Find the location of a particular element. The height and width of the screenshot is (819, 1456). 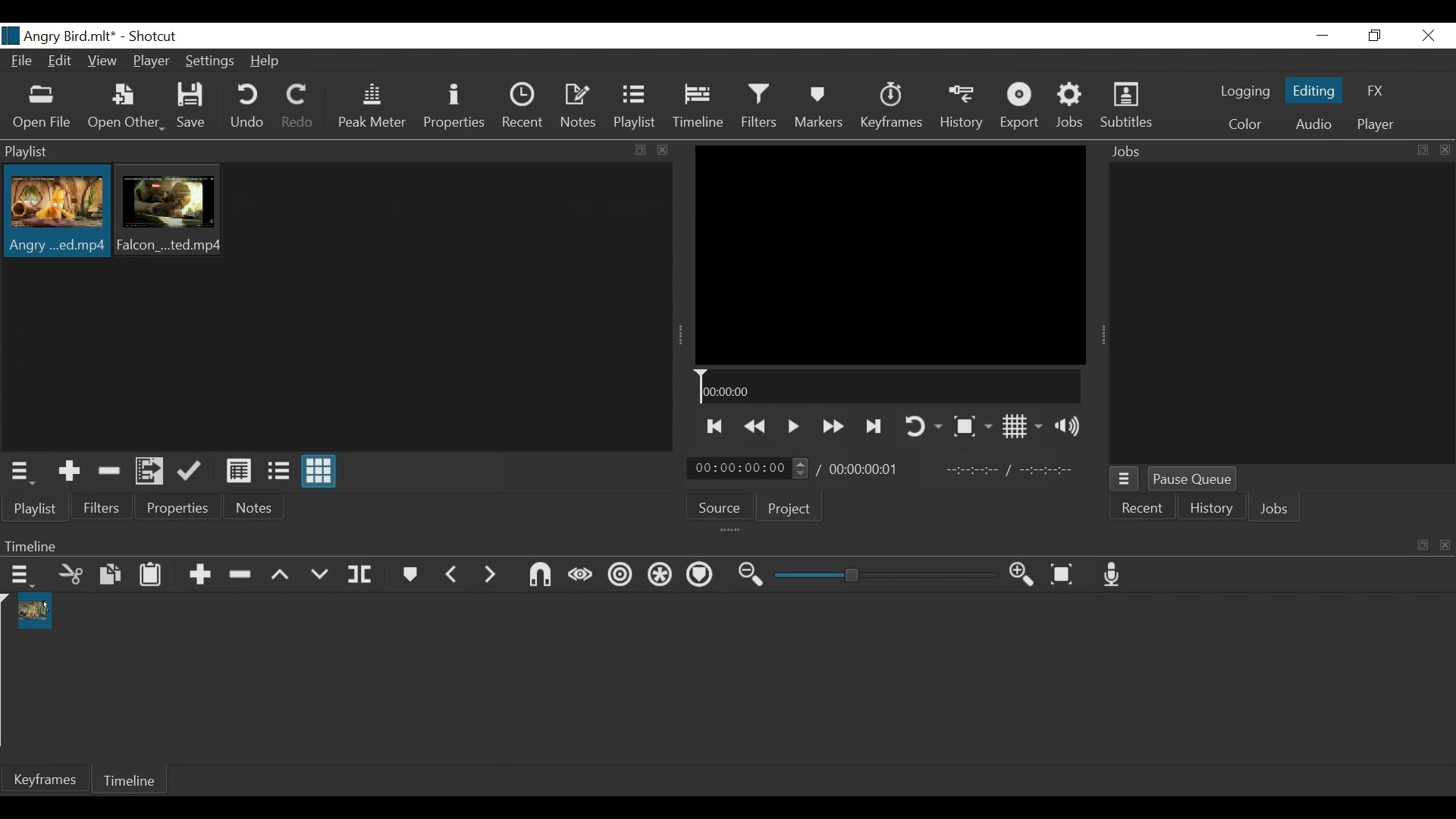

Export is located at coordinates (1021, 108).